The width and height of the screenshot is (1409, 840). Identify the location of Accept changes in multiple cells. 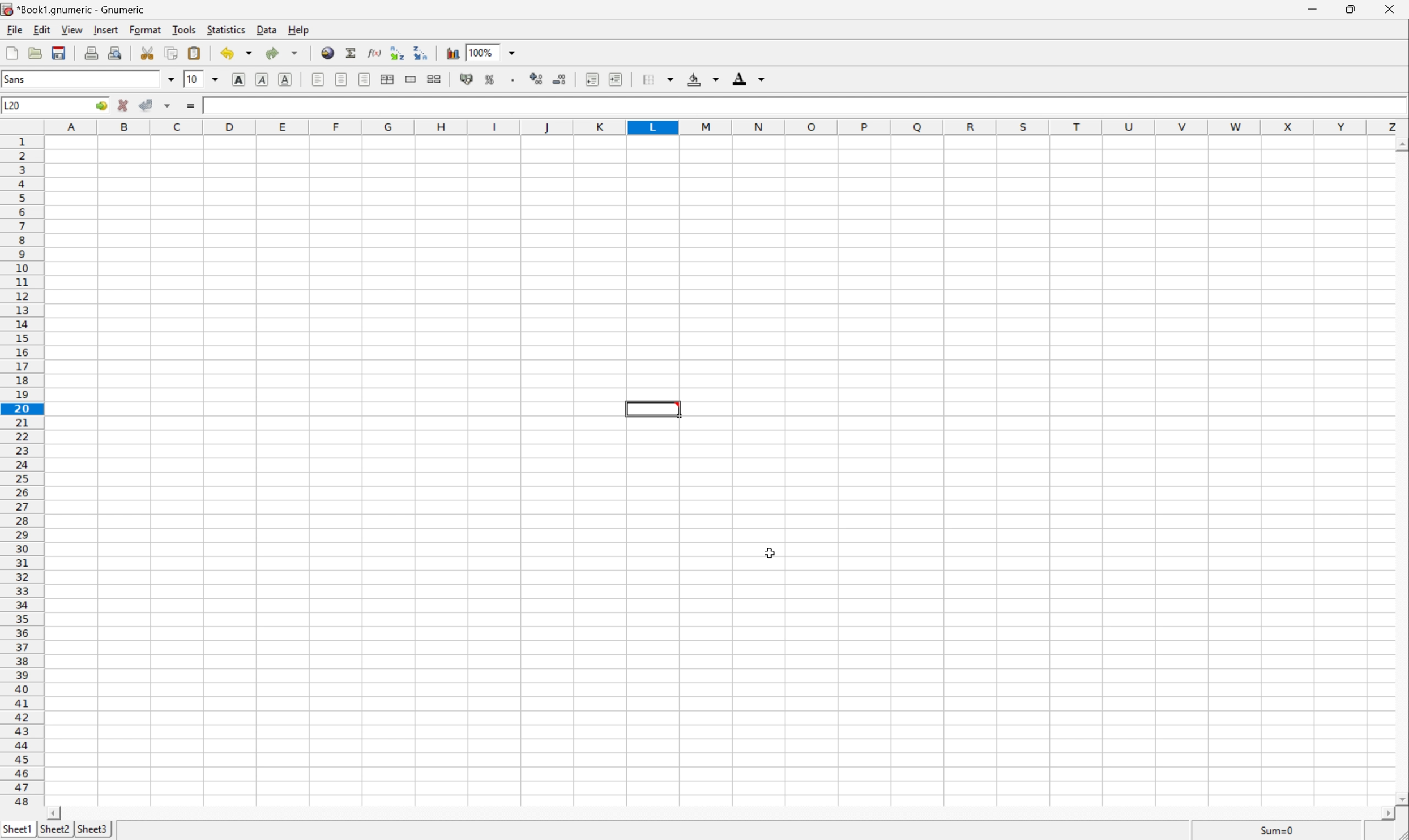
(168, 106).